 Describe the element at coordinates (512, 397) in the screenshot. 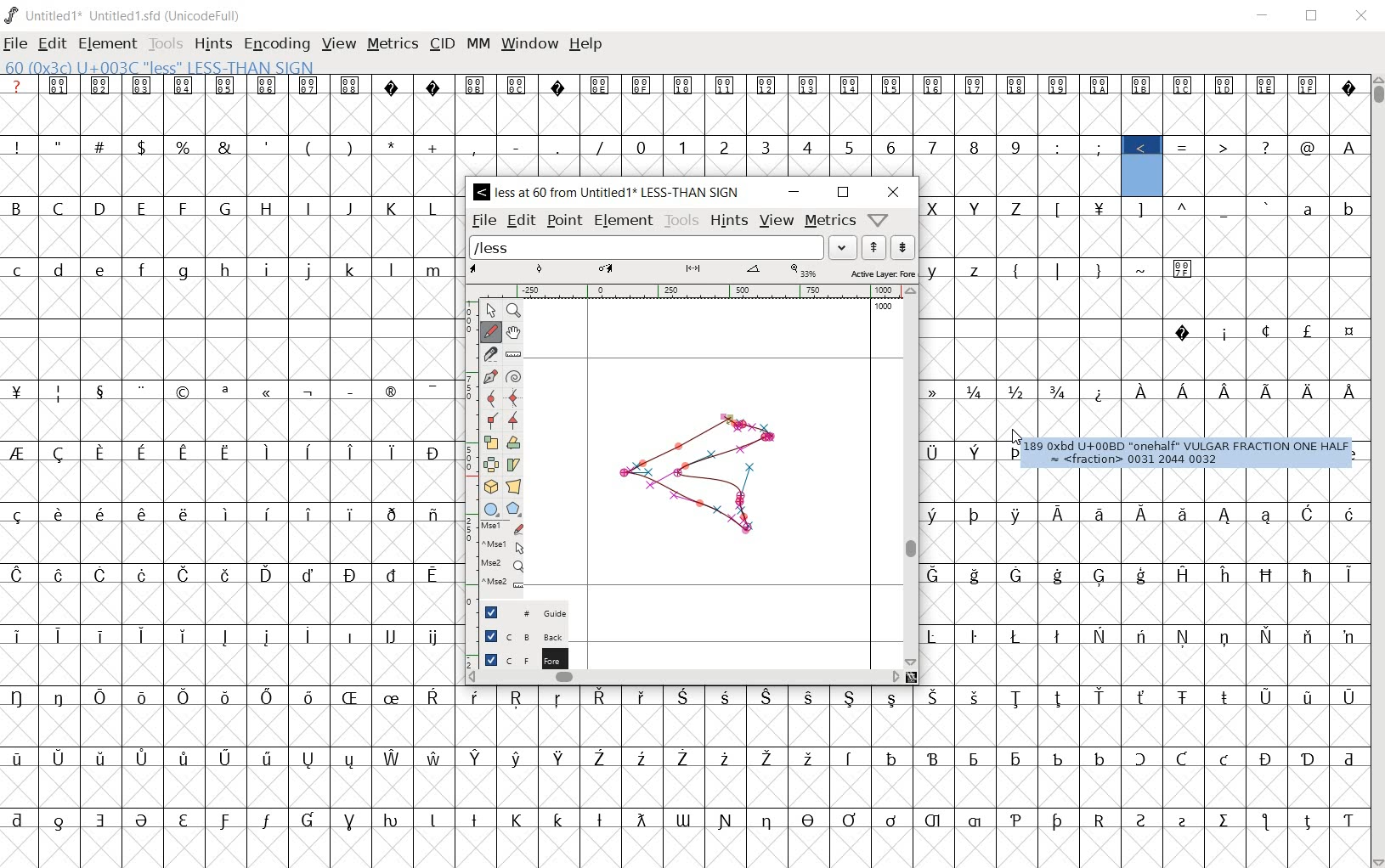

I see `add a curve point always either horizontal or vertical` at that location.